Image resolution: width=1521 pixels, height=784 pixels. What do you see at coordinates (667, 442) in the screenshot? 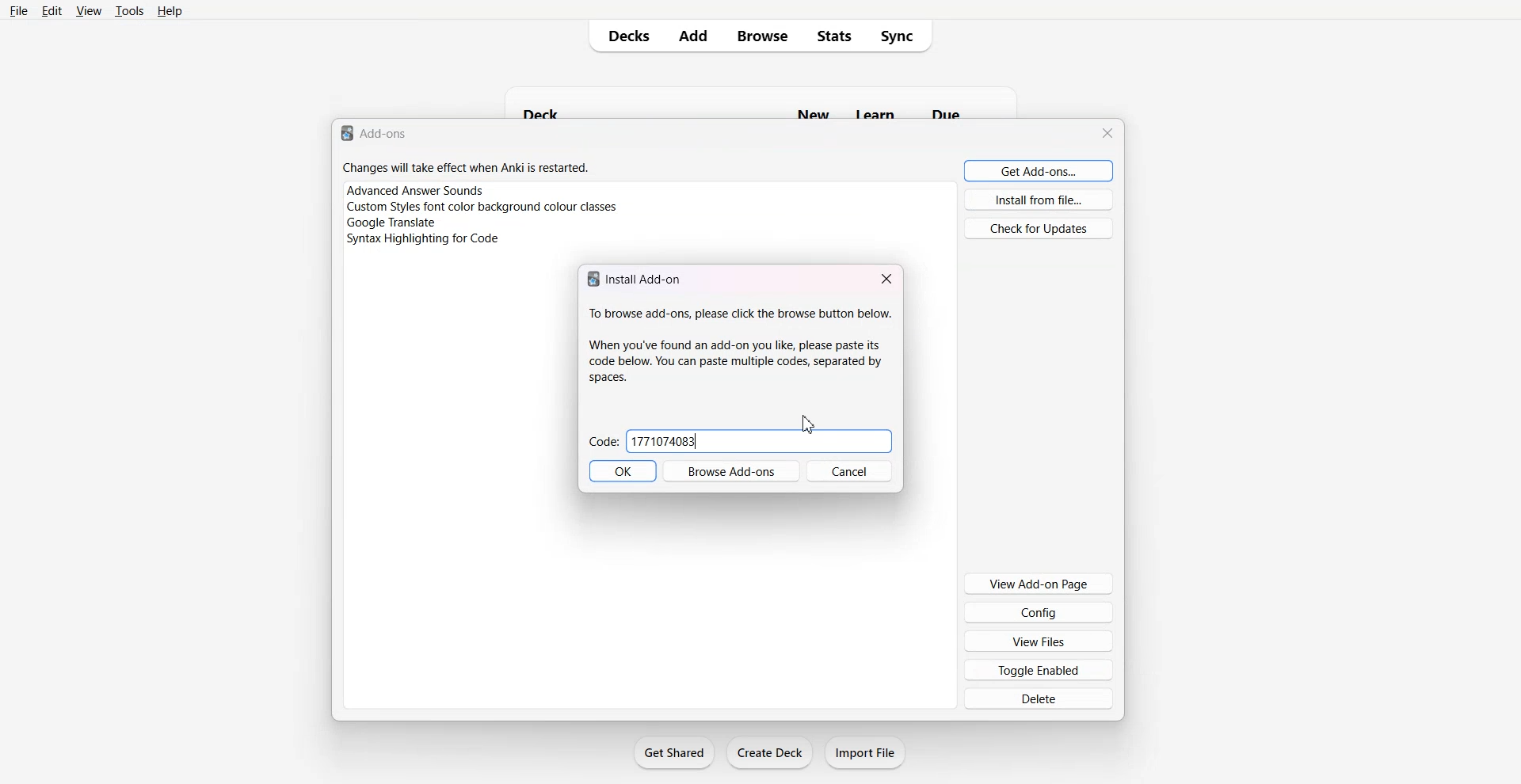
I see `code` at bounding box center [667, 442].